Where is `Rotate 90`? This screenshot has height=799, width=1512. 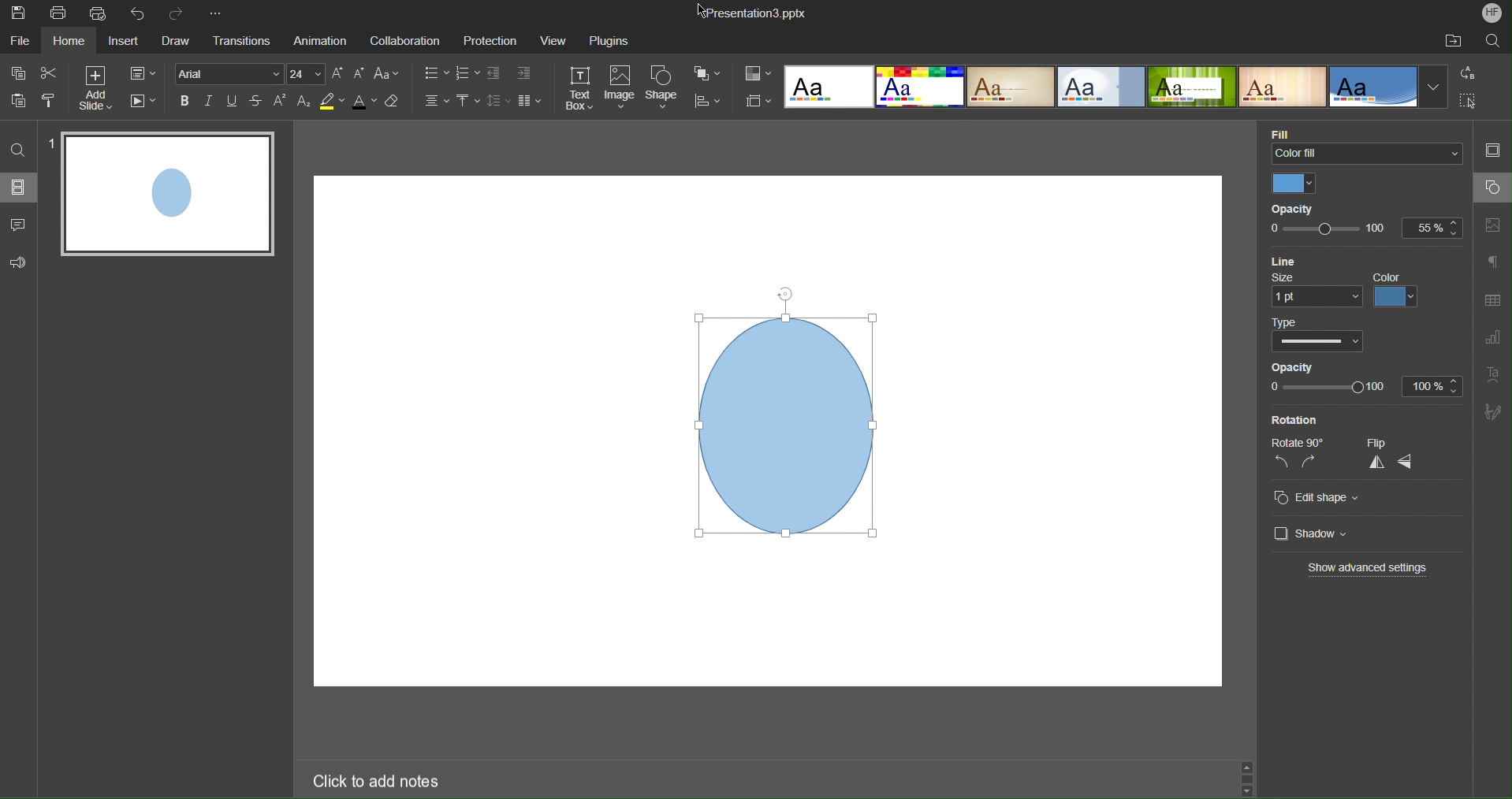 Rotate 90 is located at coordinates (1300, 443).